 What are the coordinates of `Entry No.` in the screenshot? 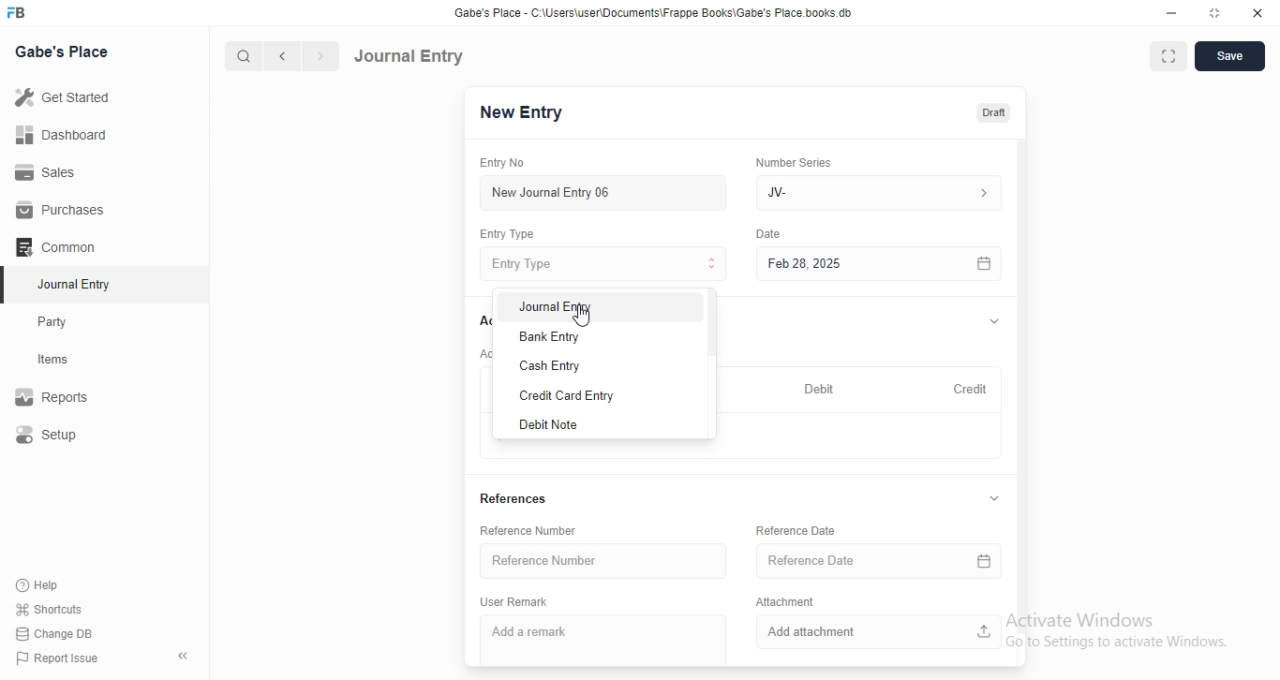 It's located at (508, 163).